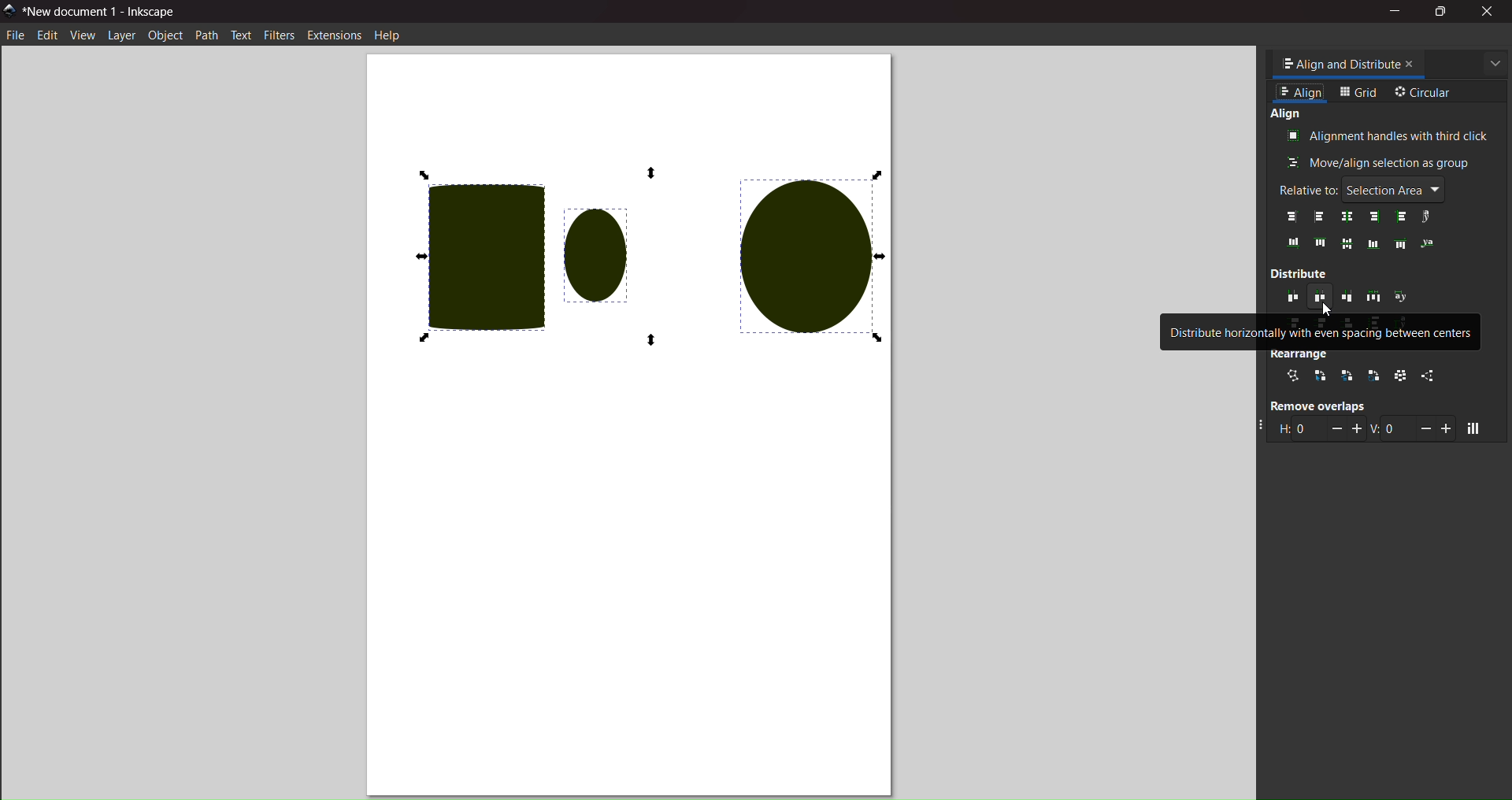 This screenshot has height=800, width=1512. What do you see at coordinates (1401, 244) in the screenshot?
I see `align top` at bounding box center [1401, 244].